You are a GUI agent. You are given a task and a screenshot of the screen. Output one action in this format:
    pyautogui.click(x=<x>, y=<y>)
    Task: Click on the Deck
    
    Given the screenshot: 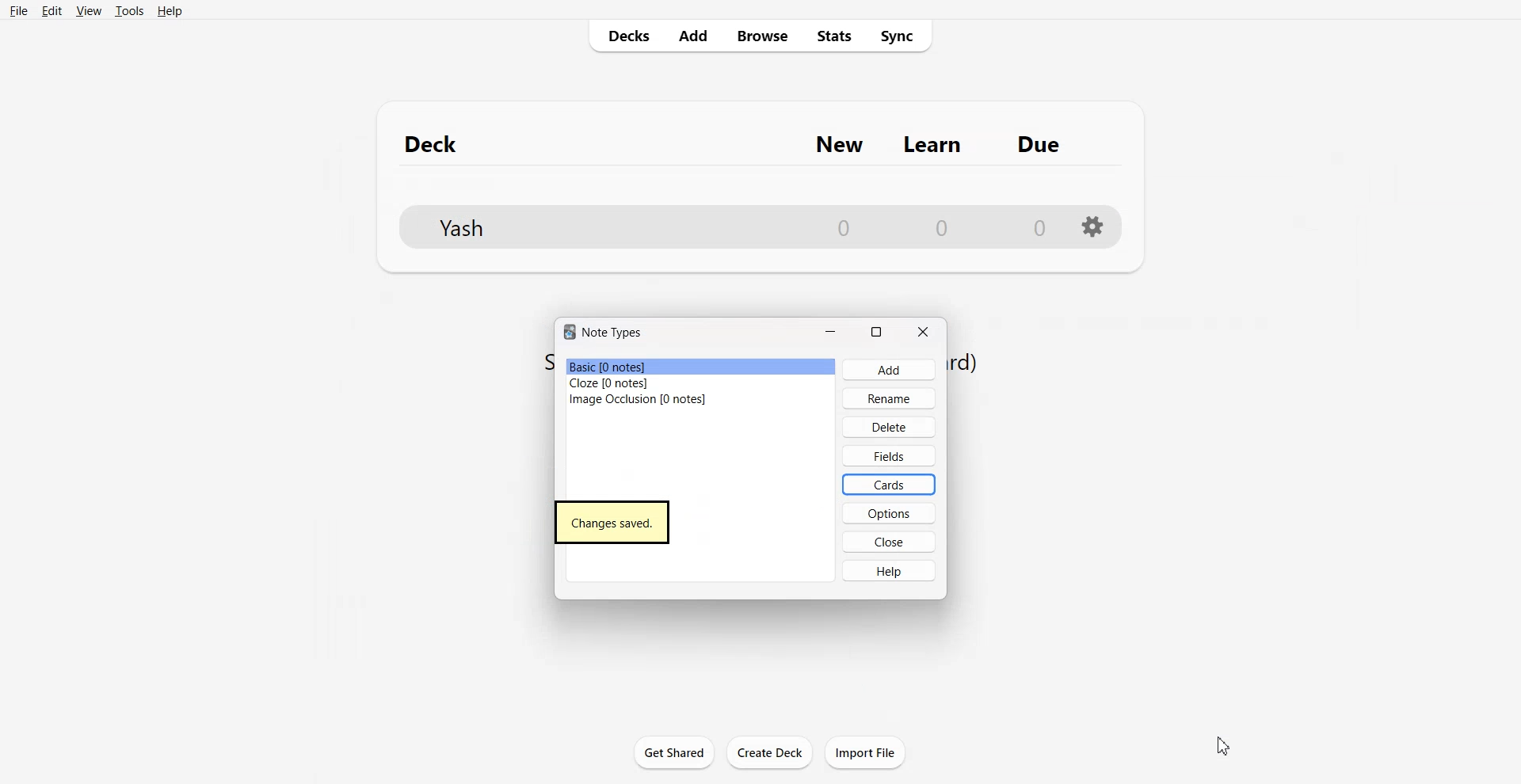 What is the action you would take?
    pyautogui.click(x=439, y=143)
    